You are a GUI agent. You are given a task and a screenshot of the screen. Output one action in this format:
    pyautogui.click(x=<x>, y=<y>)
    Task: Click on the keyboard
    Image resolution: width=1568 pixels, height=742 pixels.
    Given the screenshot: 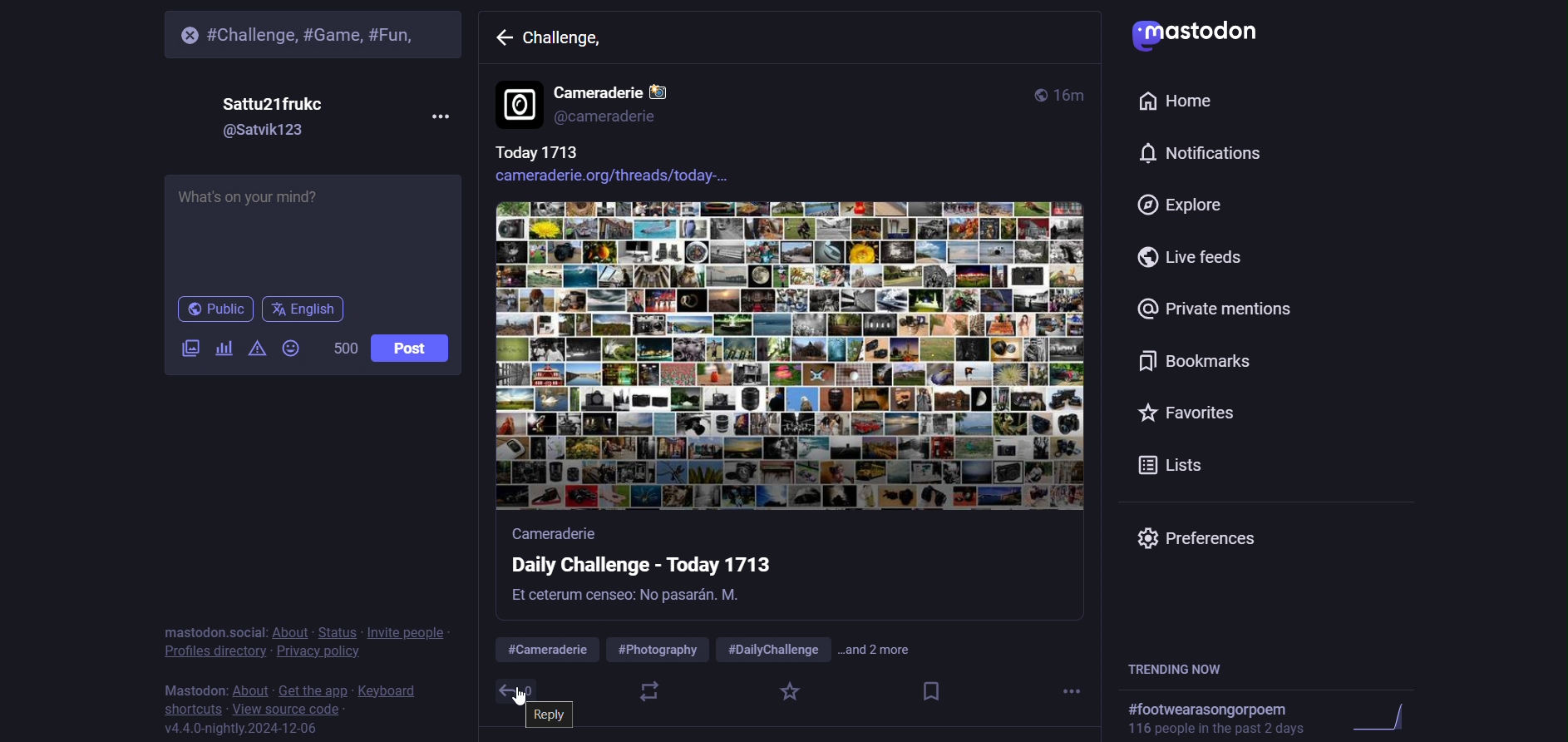 What is the action you would take?
    pyautogui.click(x=392, y=688)
    